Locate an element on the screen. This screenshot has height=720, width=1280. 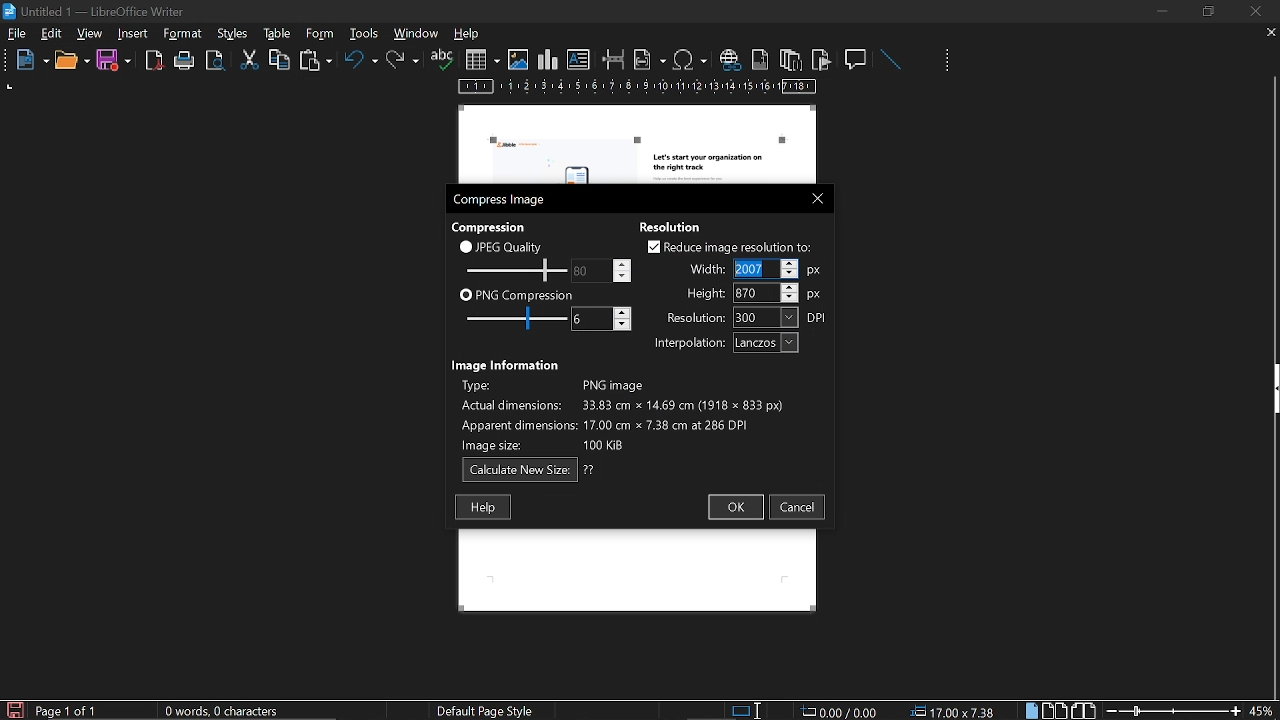
0.00 / 0.00 is located at coordinates (842, 710).